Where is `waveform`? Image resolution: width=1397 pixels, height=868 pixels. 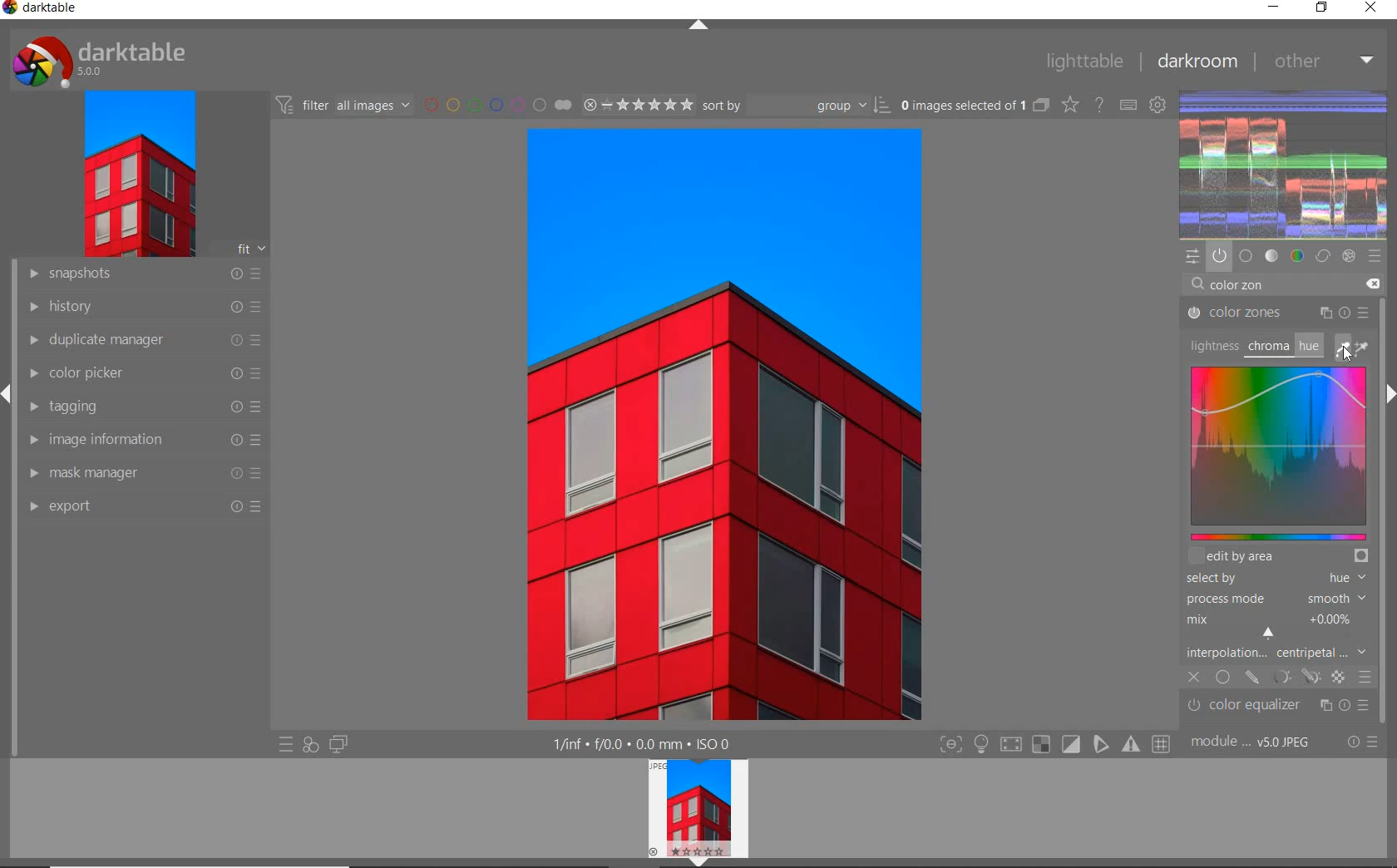
waveform is located at coordinates (1285, 163).